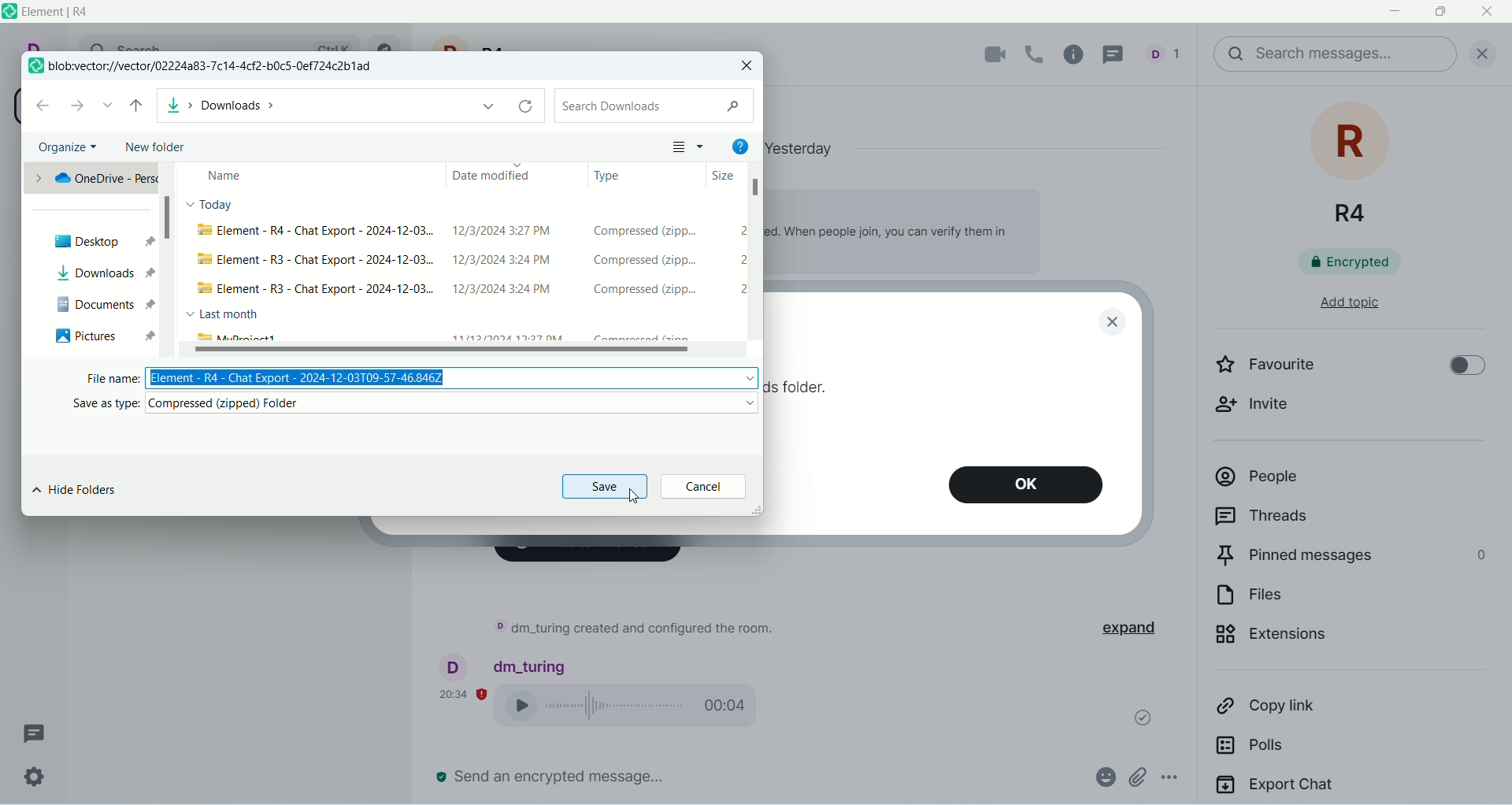 The height and width of the screenshot is (805, 1512). What do you see at coordinates (215, 207) in the screenshot?
I see `today` at bounding box center [215, 207].